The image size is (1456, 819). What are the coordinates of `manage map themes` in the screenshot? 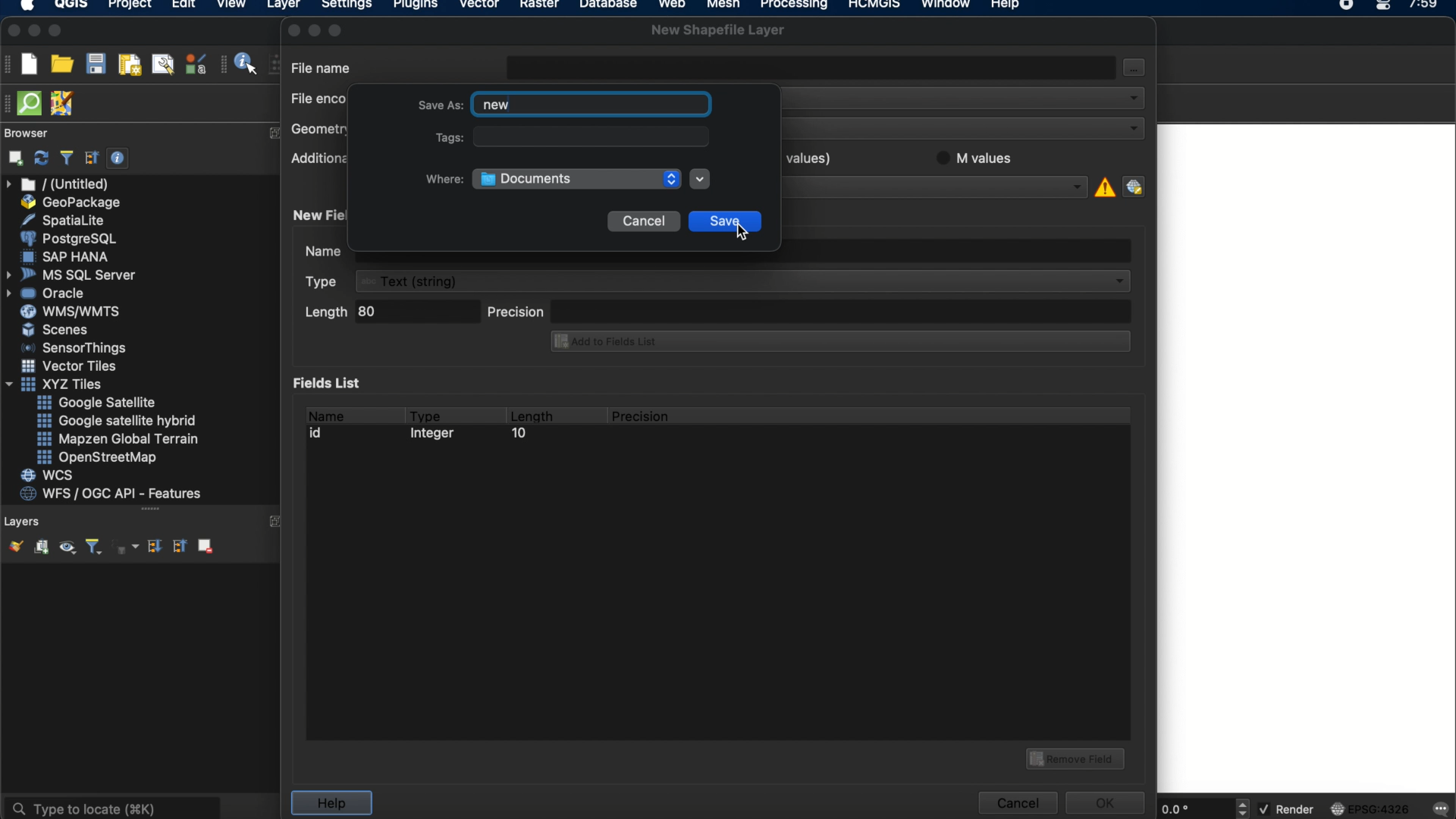 It's located at (66, 549).